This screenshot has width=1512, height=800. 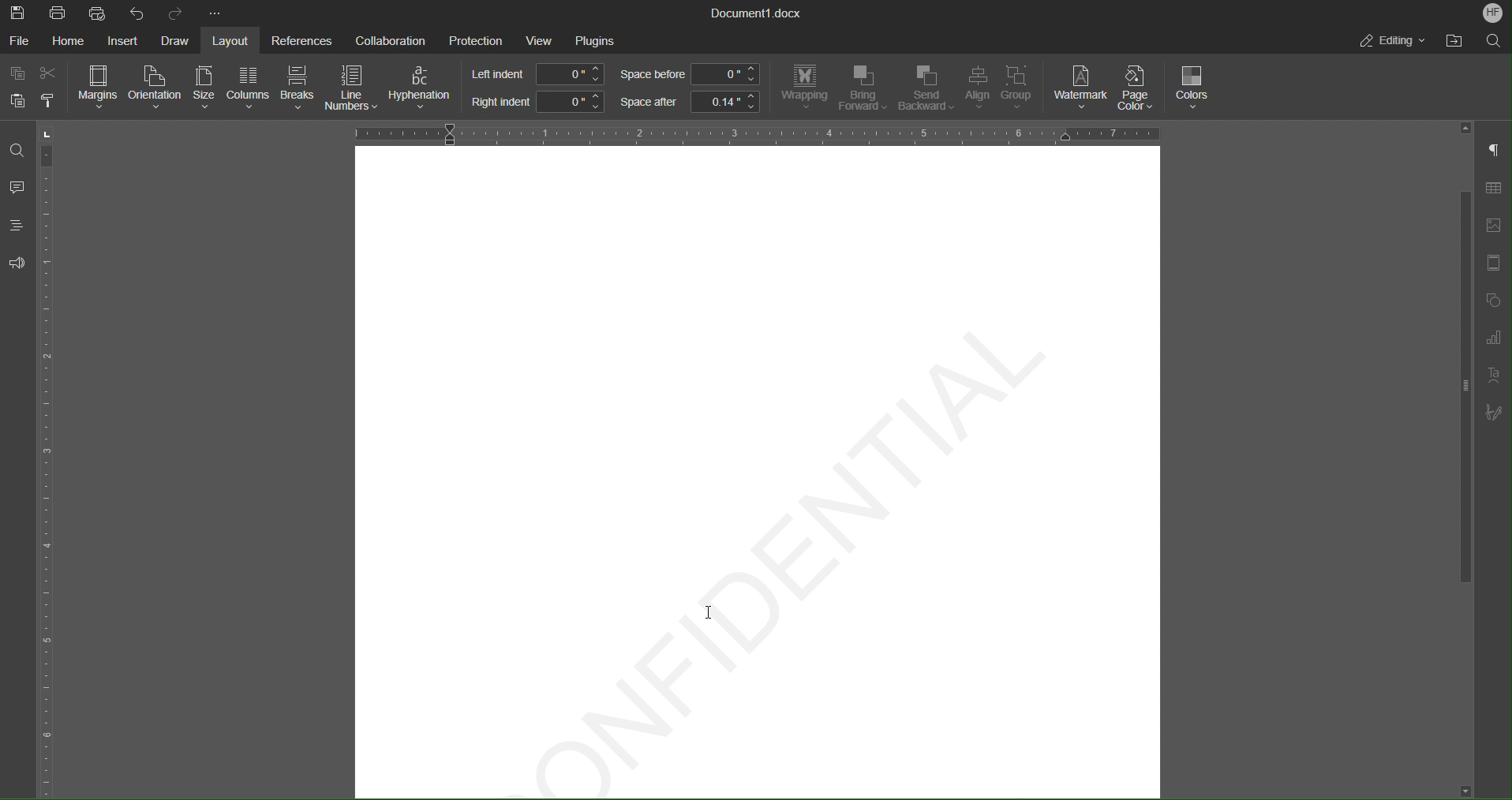 I want to click on Left indent, so click(x=539, y=74).